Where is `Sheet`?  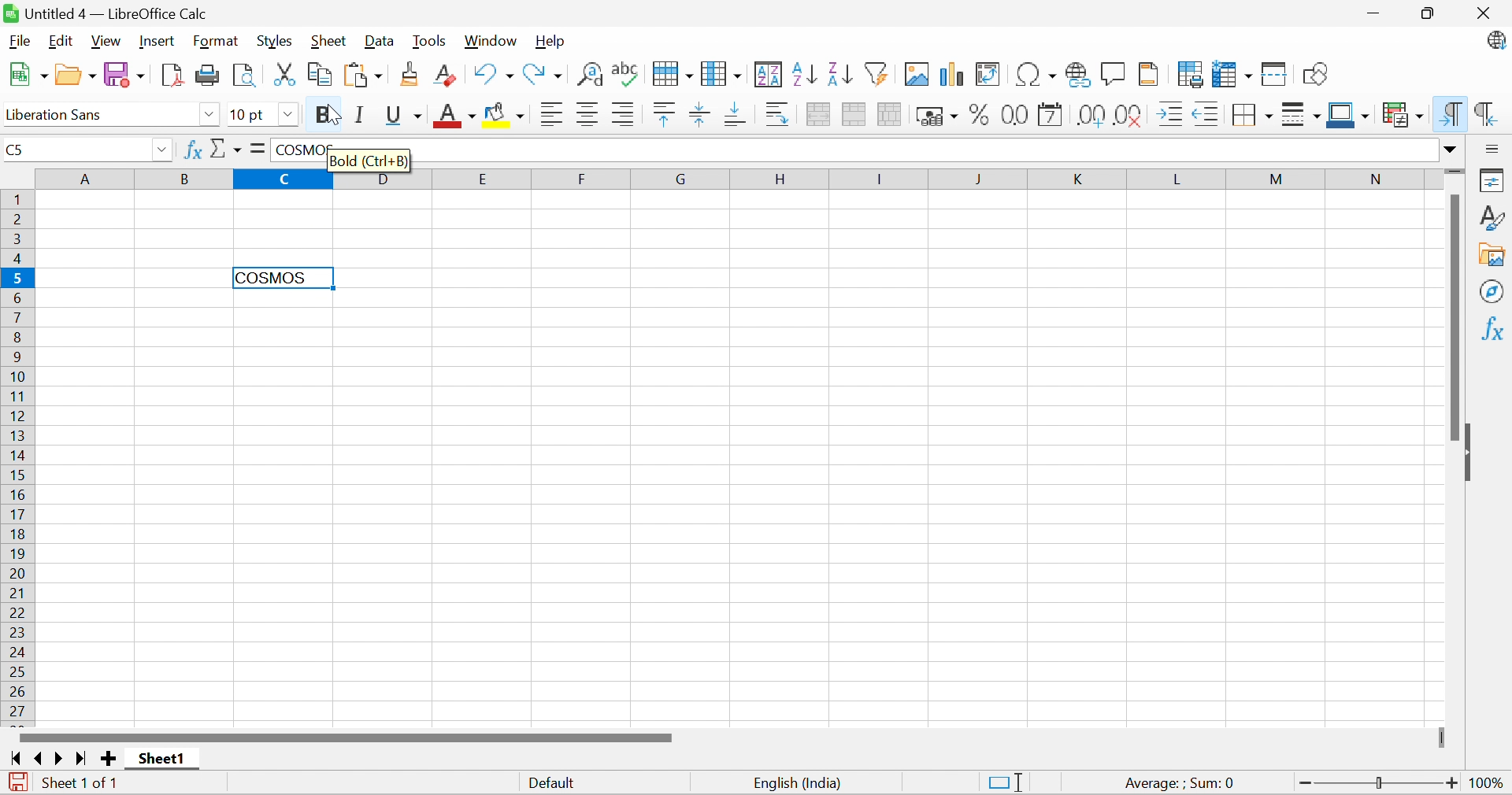
Sheet is located at coordinates (328, 42).